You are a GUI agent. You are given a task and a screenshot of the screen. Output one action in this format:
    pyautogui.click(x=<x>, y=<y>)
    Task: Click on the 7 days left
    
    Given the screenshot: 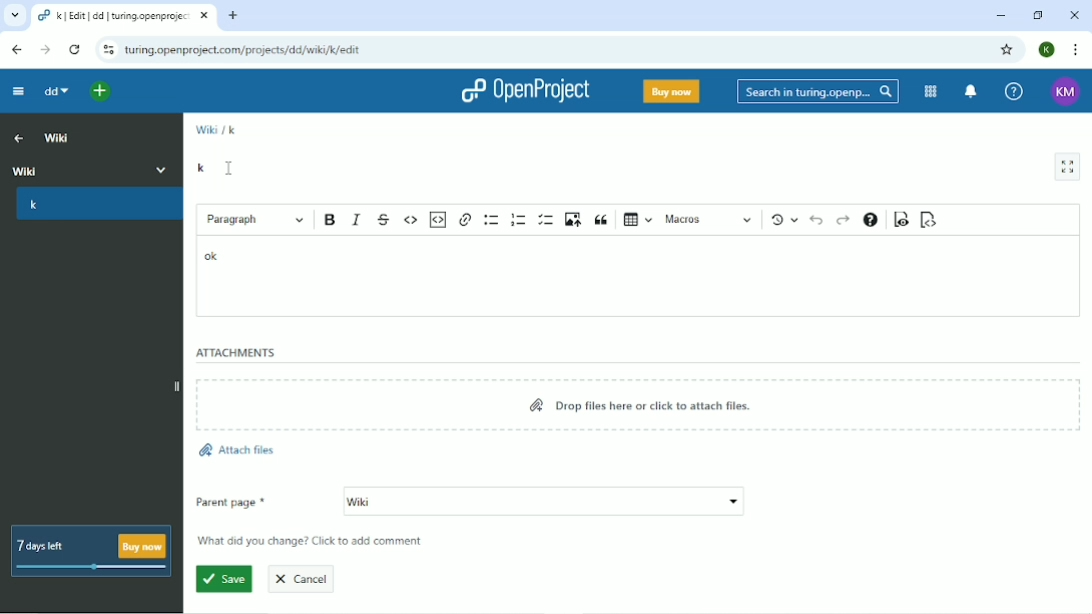 What is the action you would take?
    pyautogui.click(x=92, y=552)
    